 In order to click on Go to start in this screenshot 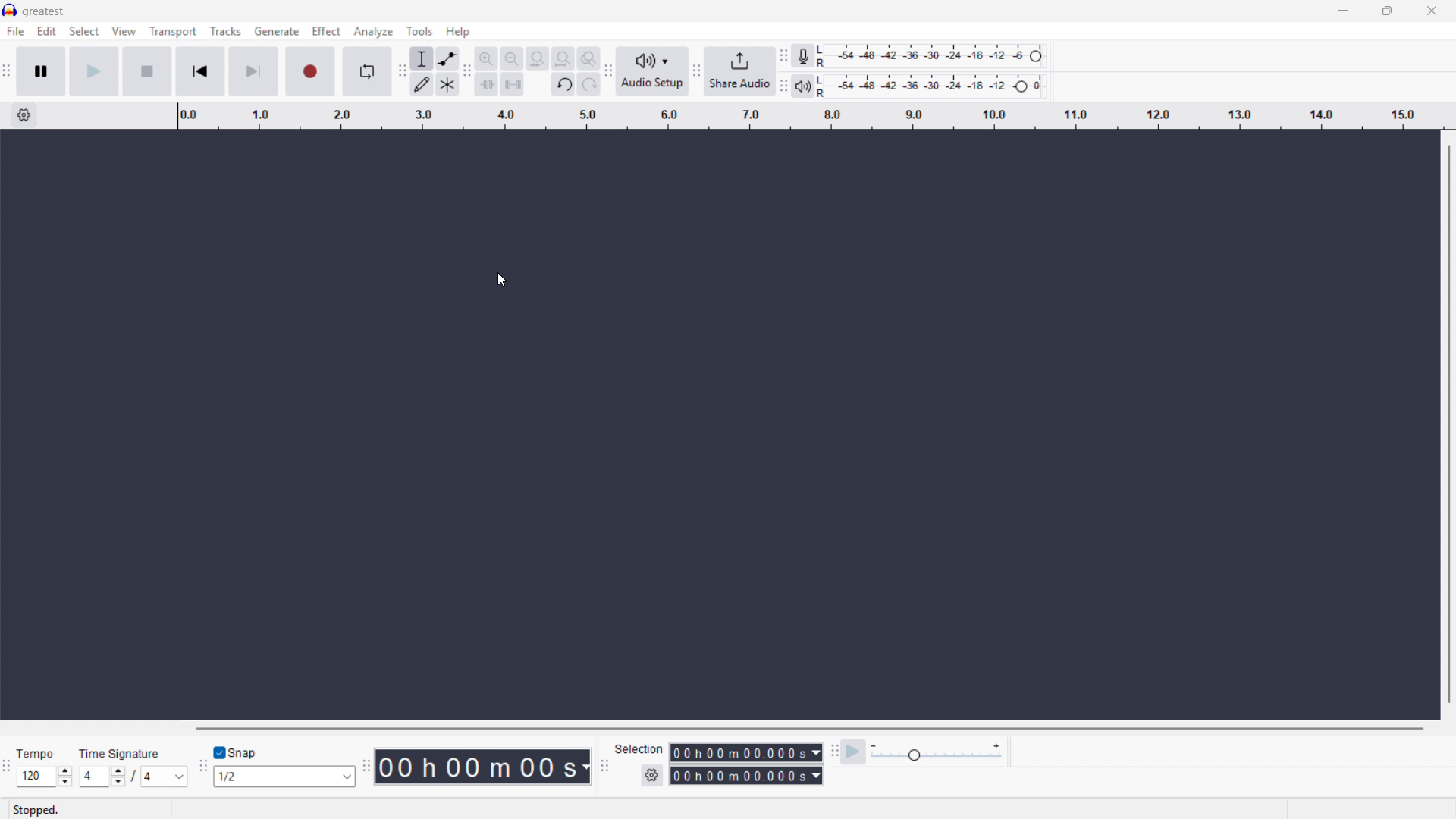, I will do `click(201, 71)`.